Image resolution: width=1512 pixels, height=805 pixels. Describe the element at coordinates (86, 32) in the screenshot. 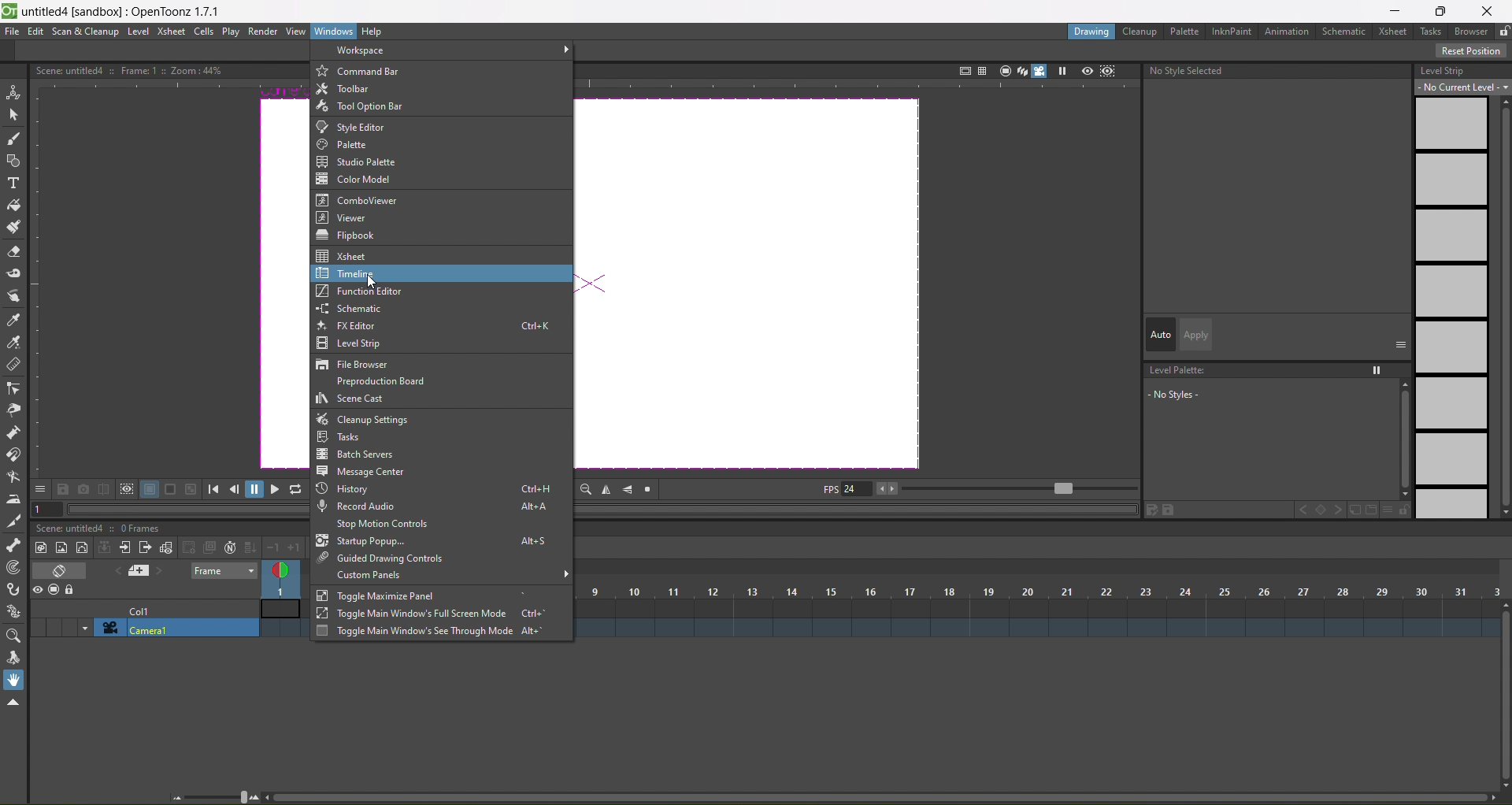

I see `scan & cleanup` at that location.